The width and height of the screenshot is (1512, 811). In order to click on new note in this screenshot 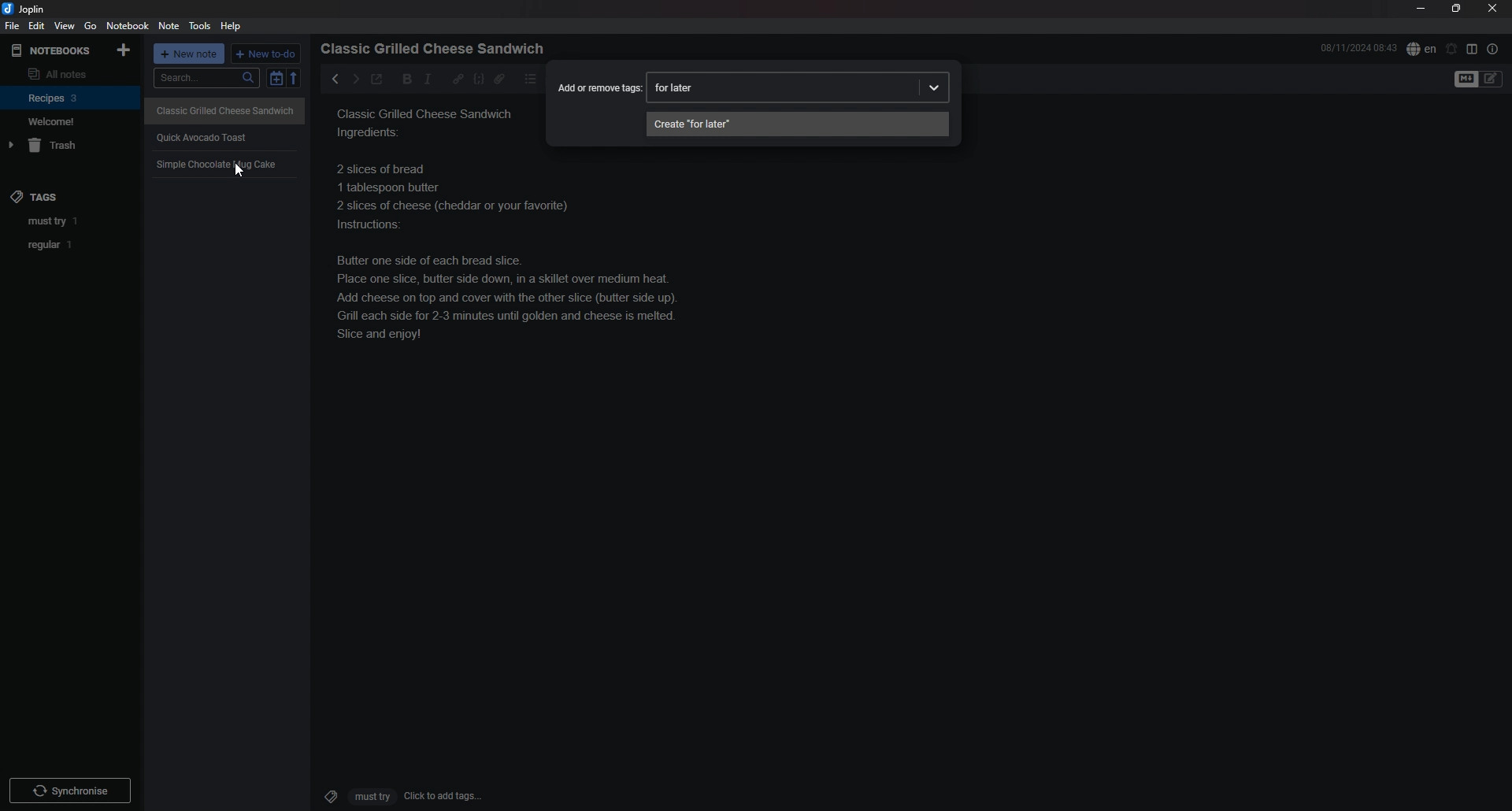, I will do `click(191, 55)`.